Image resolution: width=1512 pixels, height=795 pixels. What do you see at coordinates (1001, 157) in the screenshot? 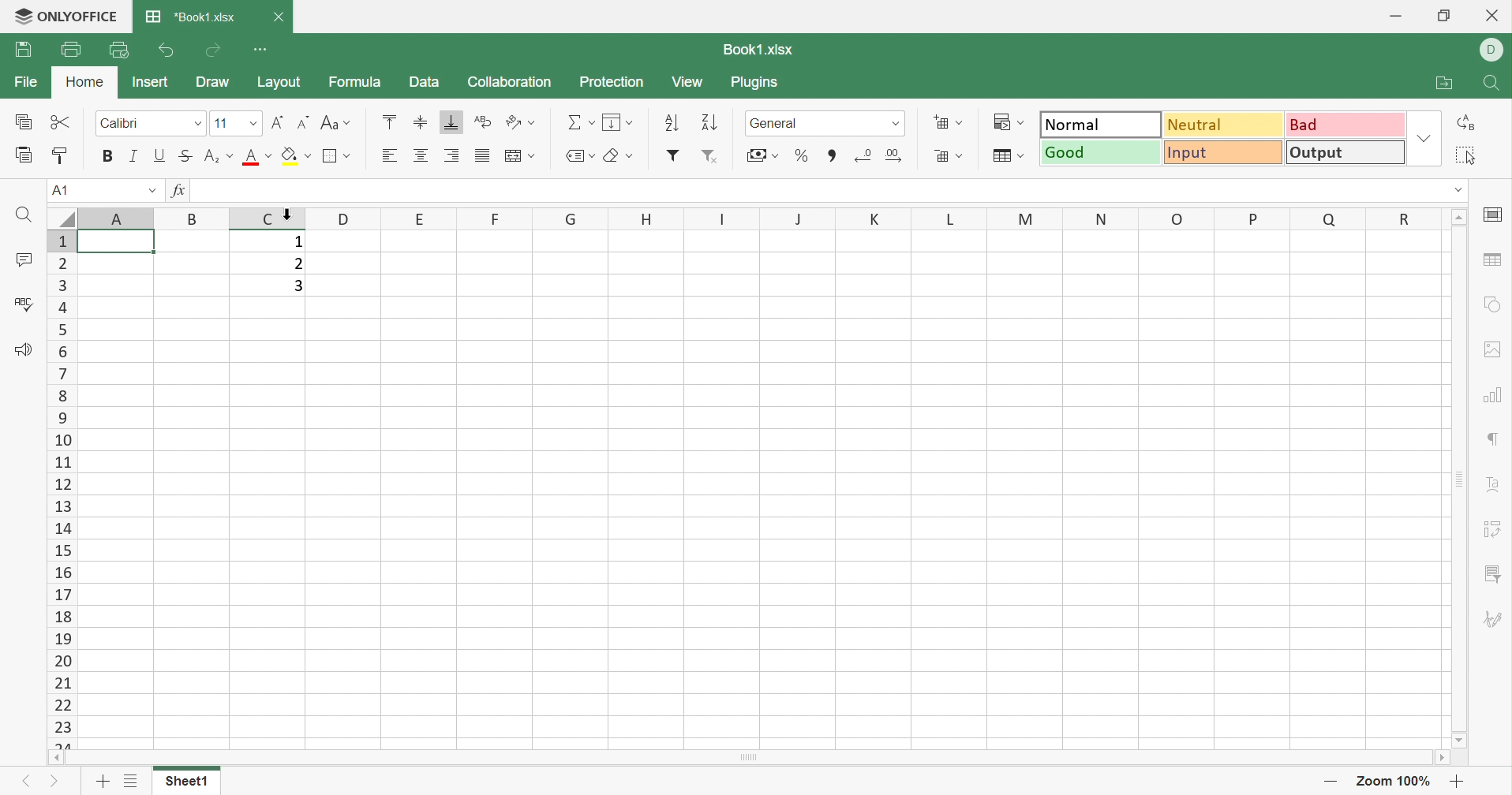
I see `Format as table template` at bounding box center [1001, 157].